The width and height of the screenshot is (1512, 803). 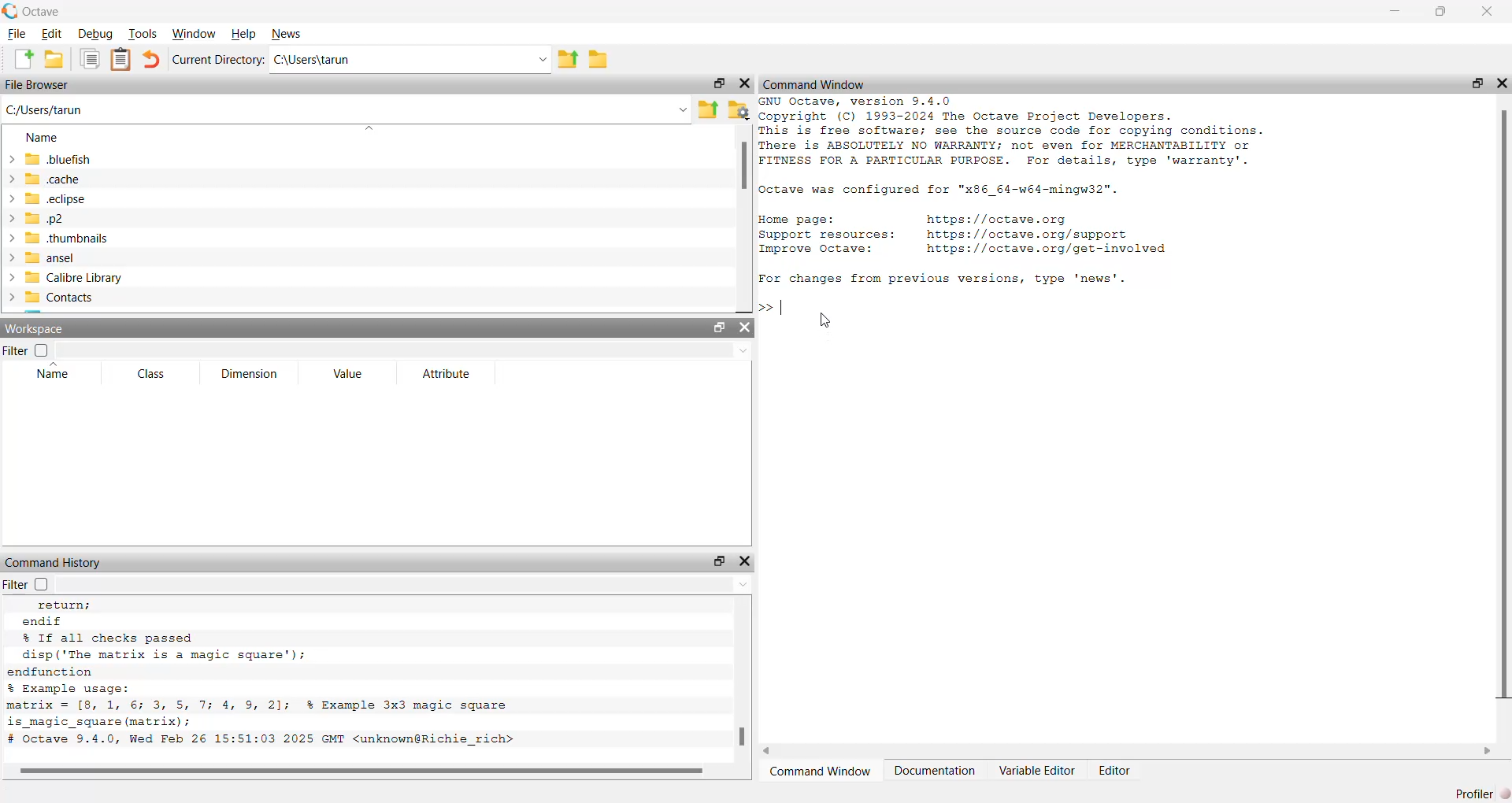 I want to click on Debug, so click(x=97, y=34).